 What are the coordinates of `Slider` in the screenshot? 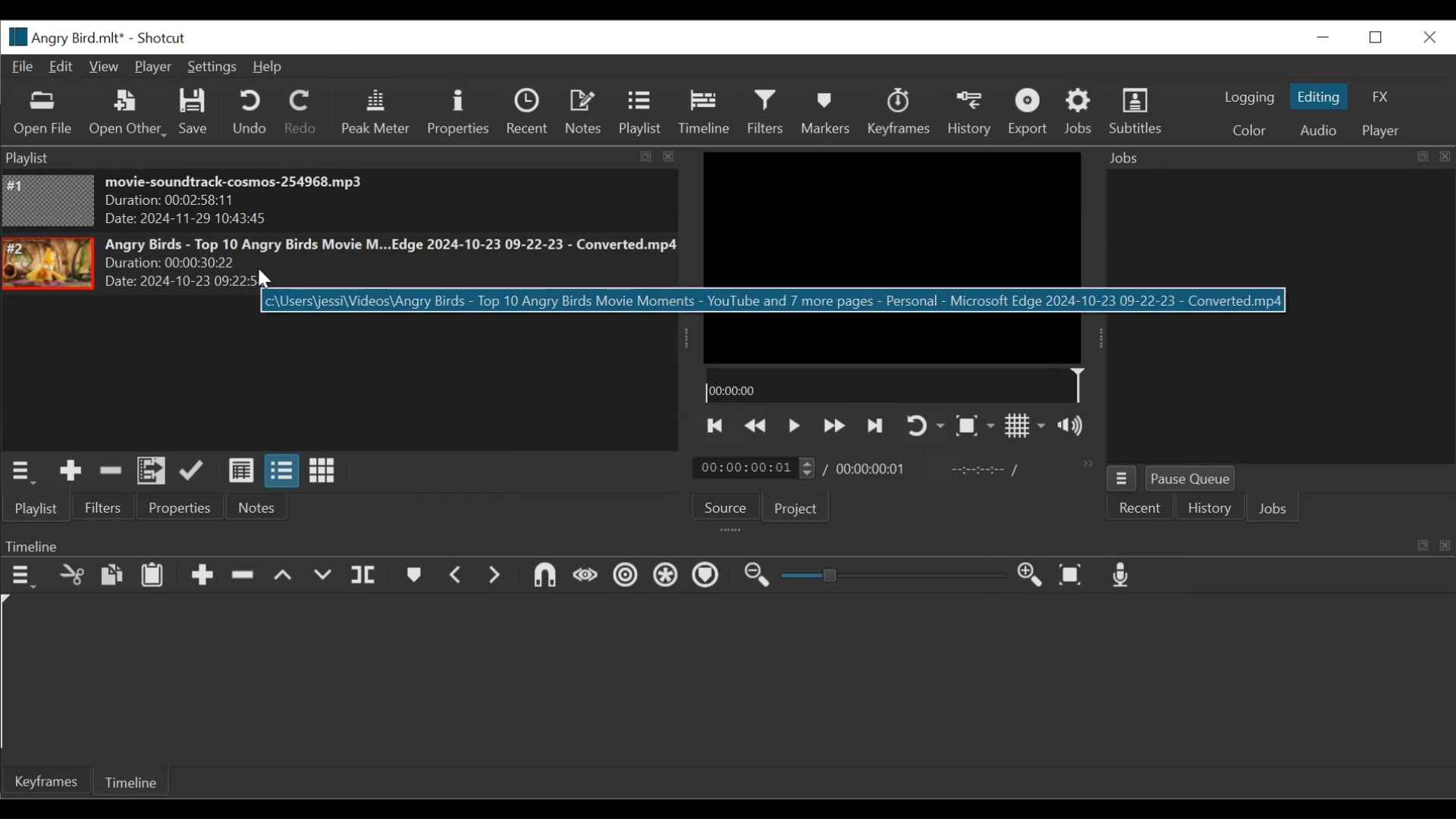 It's located at (894, 577).